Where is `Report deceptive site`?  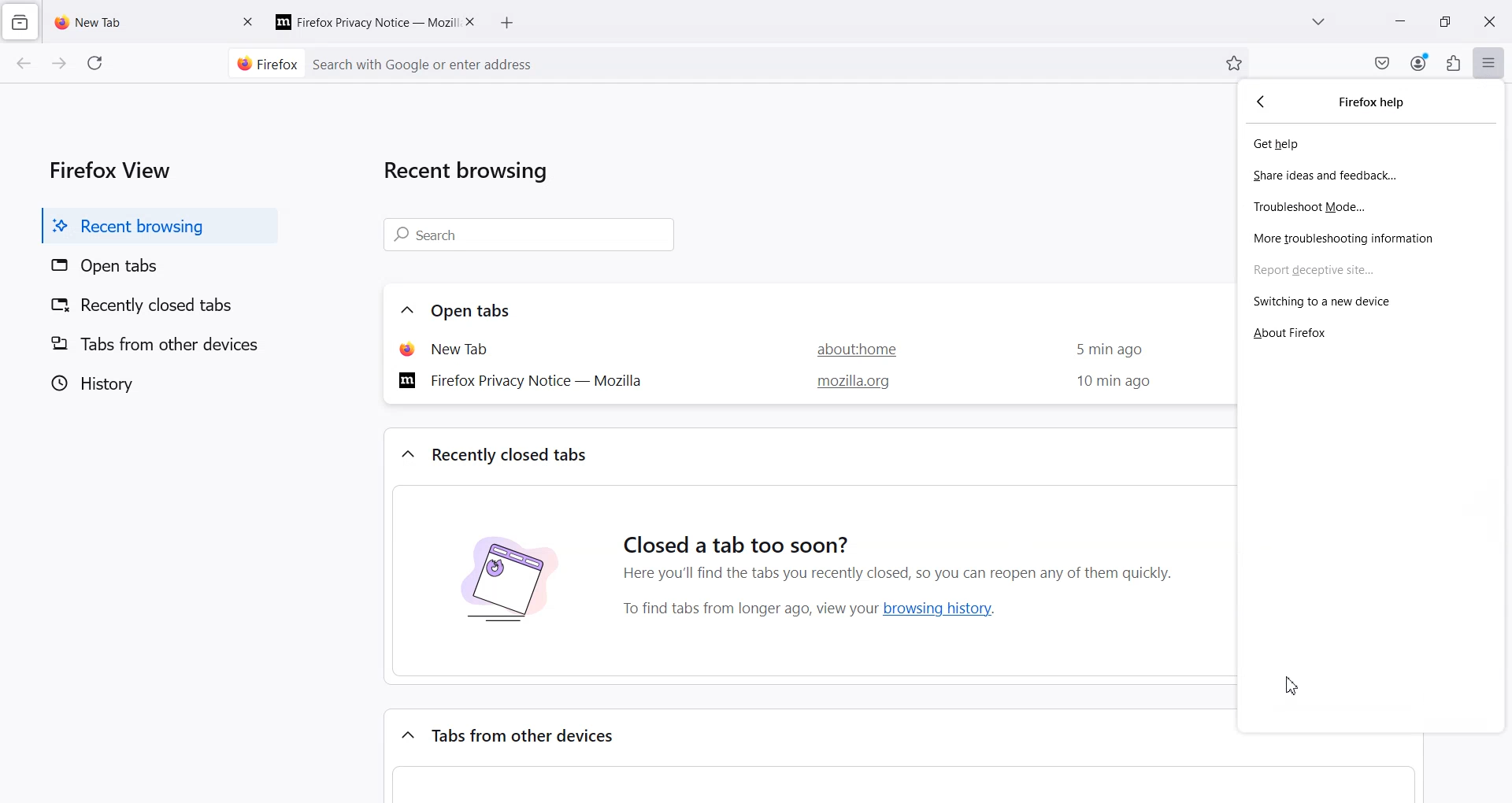
Report deceptive site is located at coordinates (1371, 268).